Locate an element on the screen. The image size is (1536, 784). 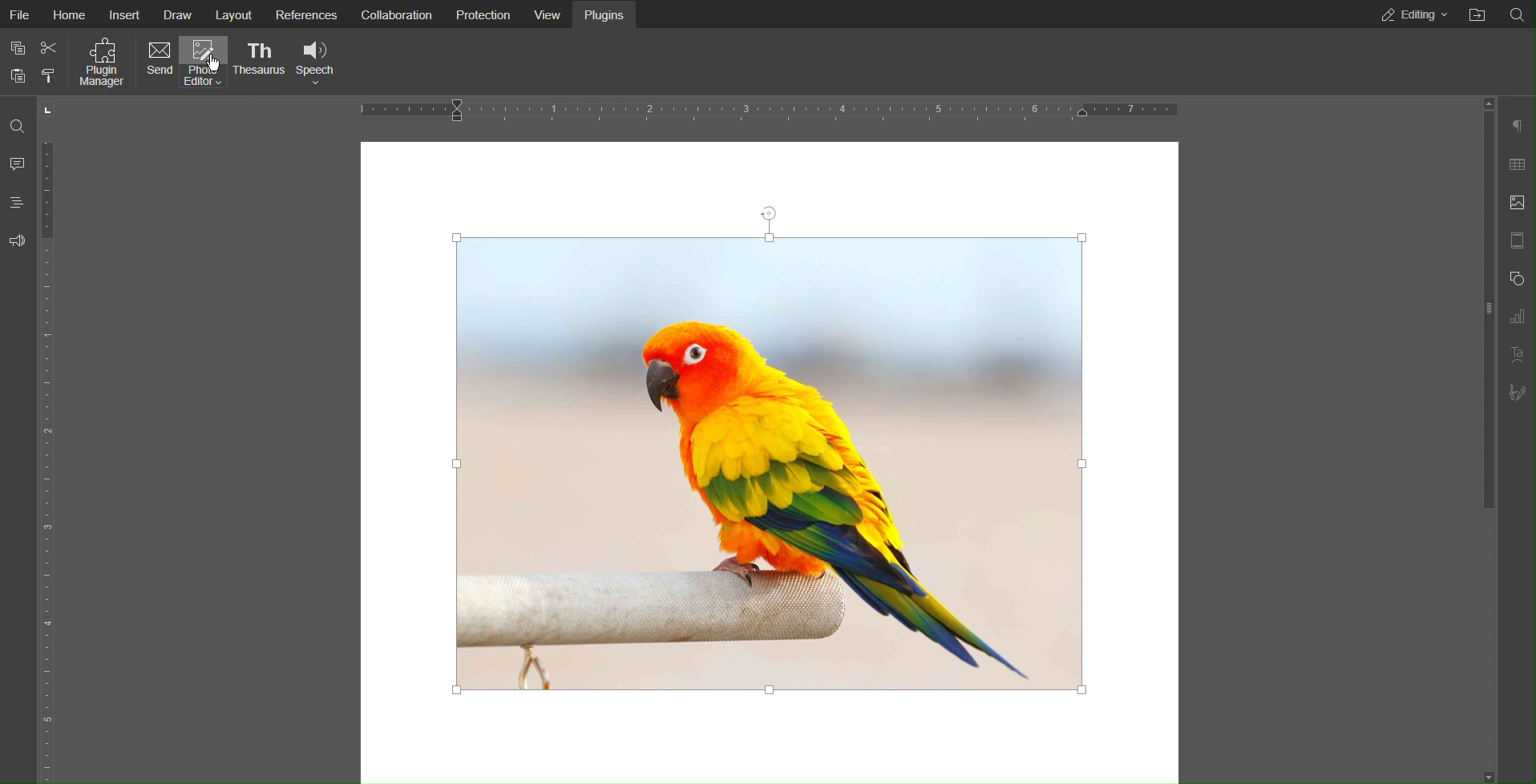
Cursor on Photo Editor is located at coordinates (212, 64).